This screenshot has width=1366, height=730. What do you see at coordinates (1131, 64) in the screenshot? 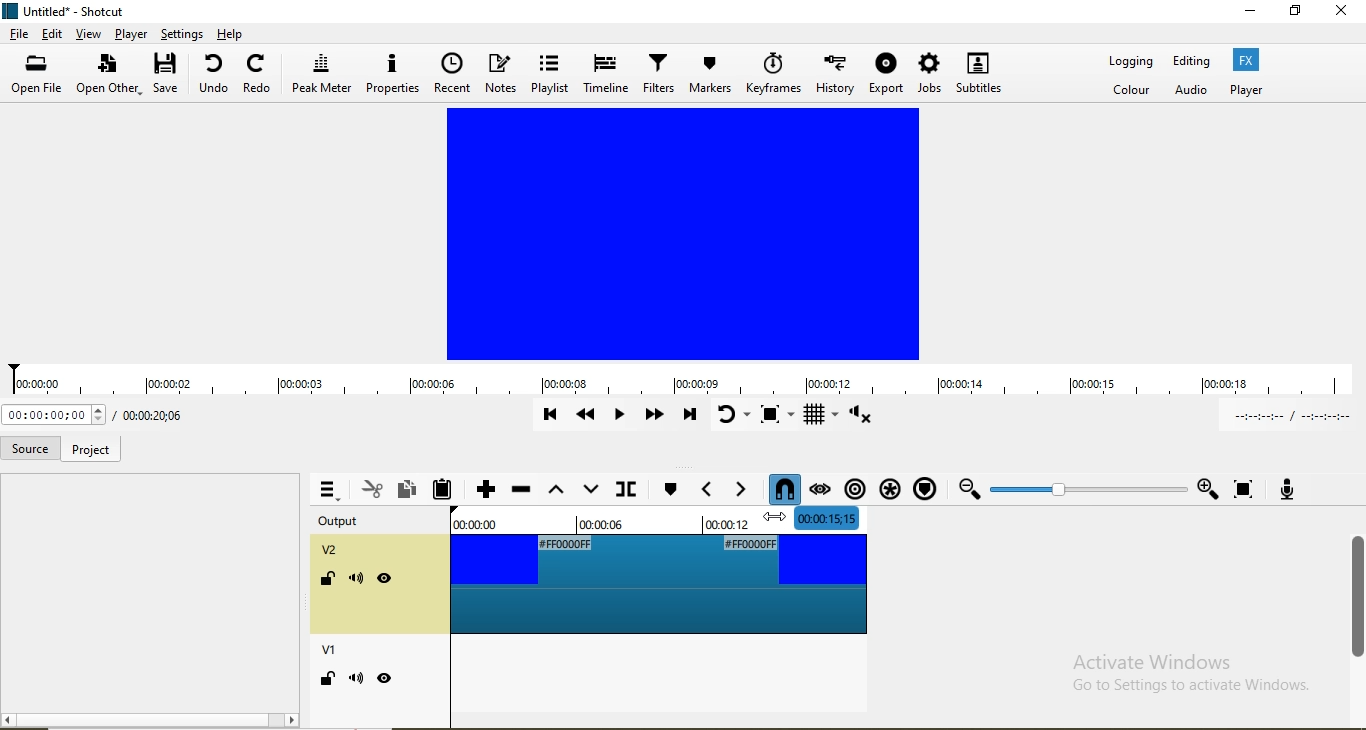
I see `Logging` at bounding box center [1131, 64].